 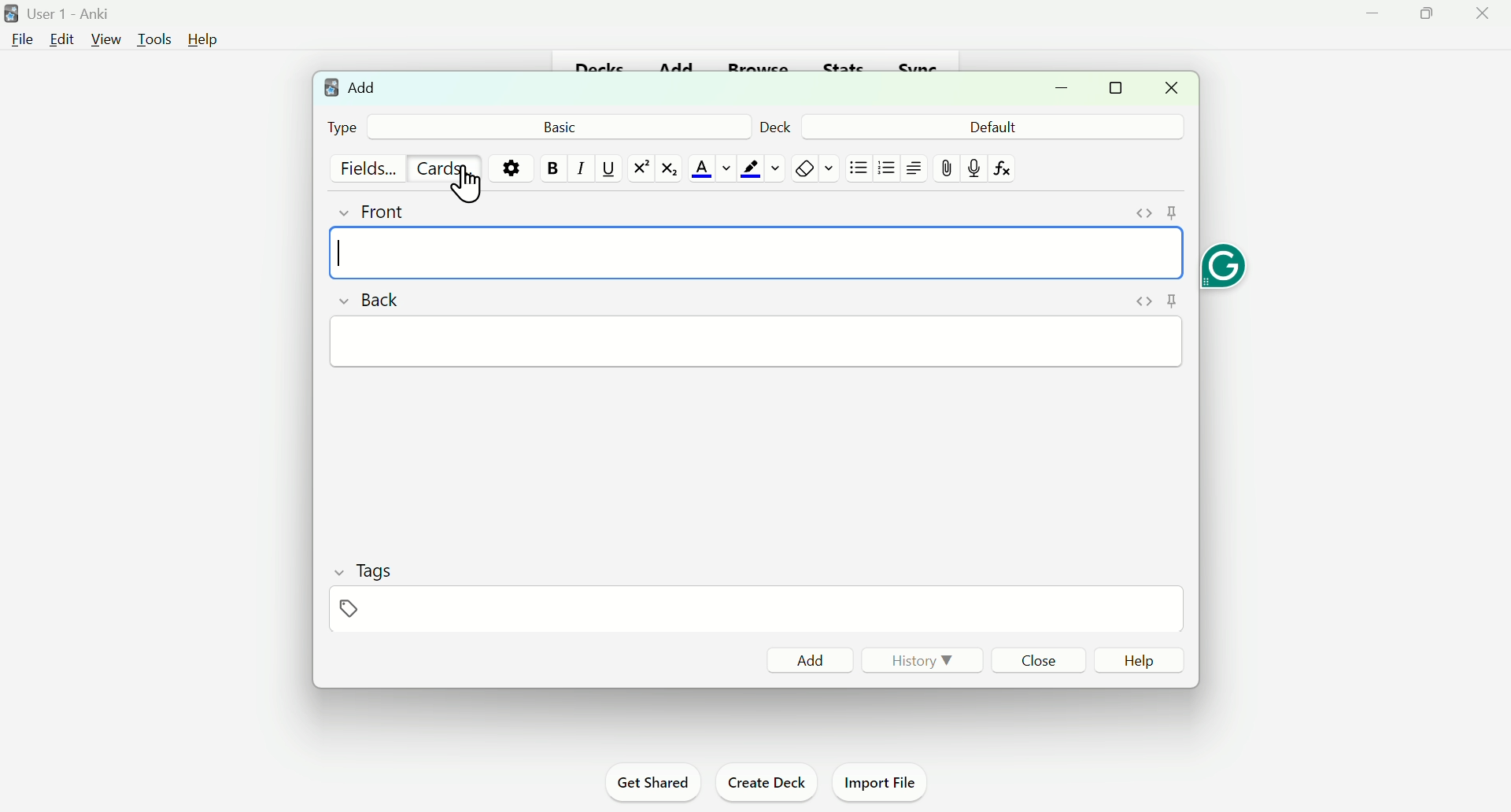 I want to click on Stats, so click(x=844, y=65).